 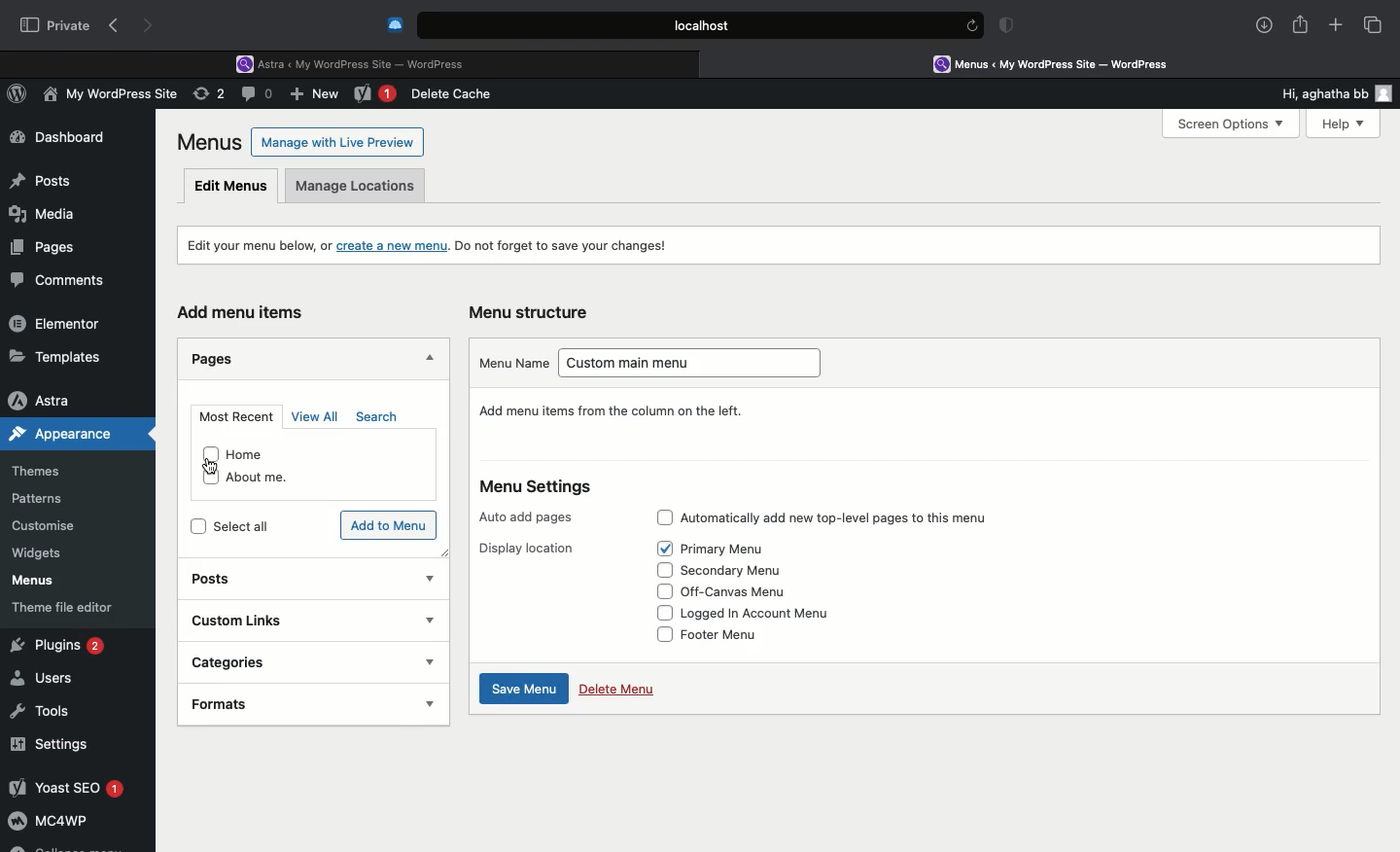 What do you see at coordinates (1314, 90) in the screenshot?
I see `Hi, aghatha bb` at bounding box center [1314, 90].